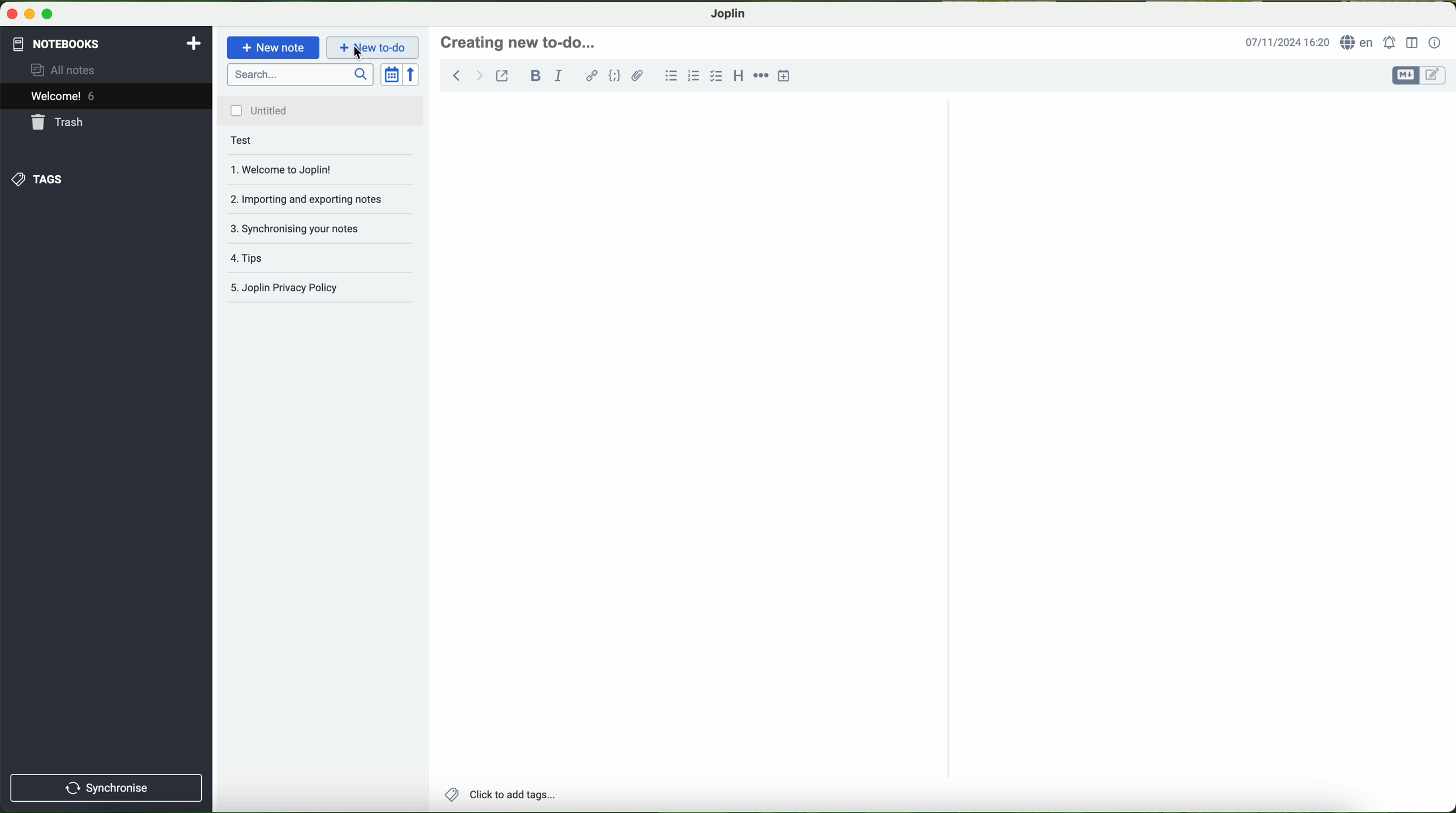 The height and width of the screenshot is (813, 1456). I want to click on synchronising your notes, so click(304, 227).